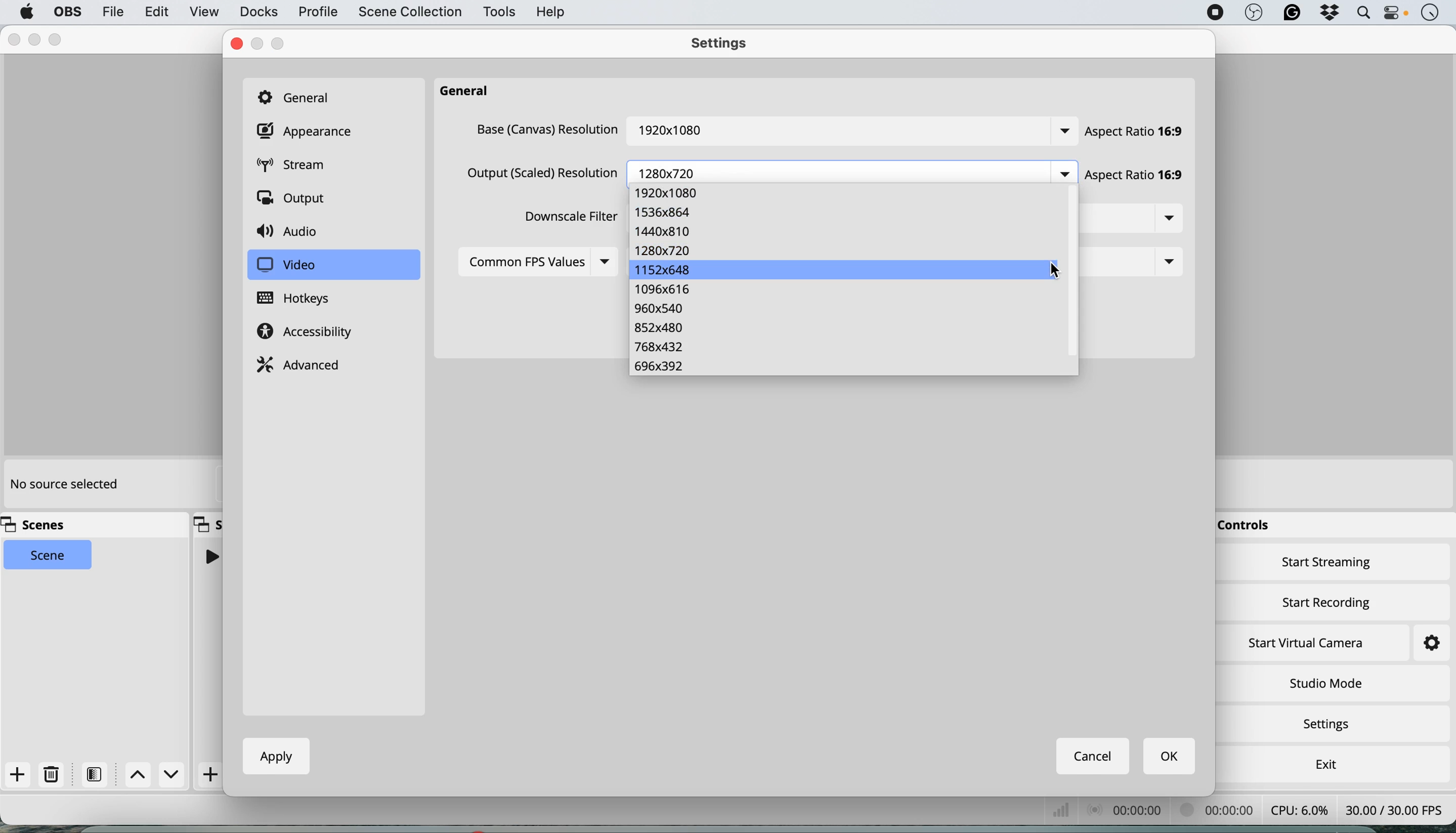 The image size is (1456, 833). I want to click on Output (Scaled) Resolution, so click(538, 173).